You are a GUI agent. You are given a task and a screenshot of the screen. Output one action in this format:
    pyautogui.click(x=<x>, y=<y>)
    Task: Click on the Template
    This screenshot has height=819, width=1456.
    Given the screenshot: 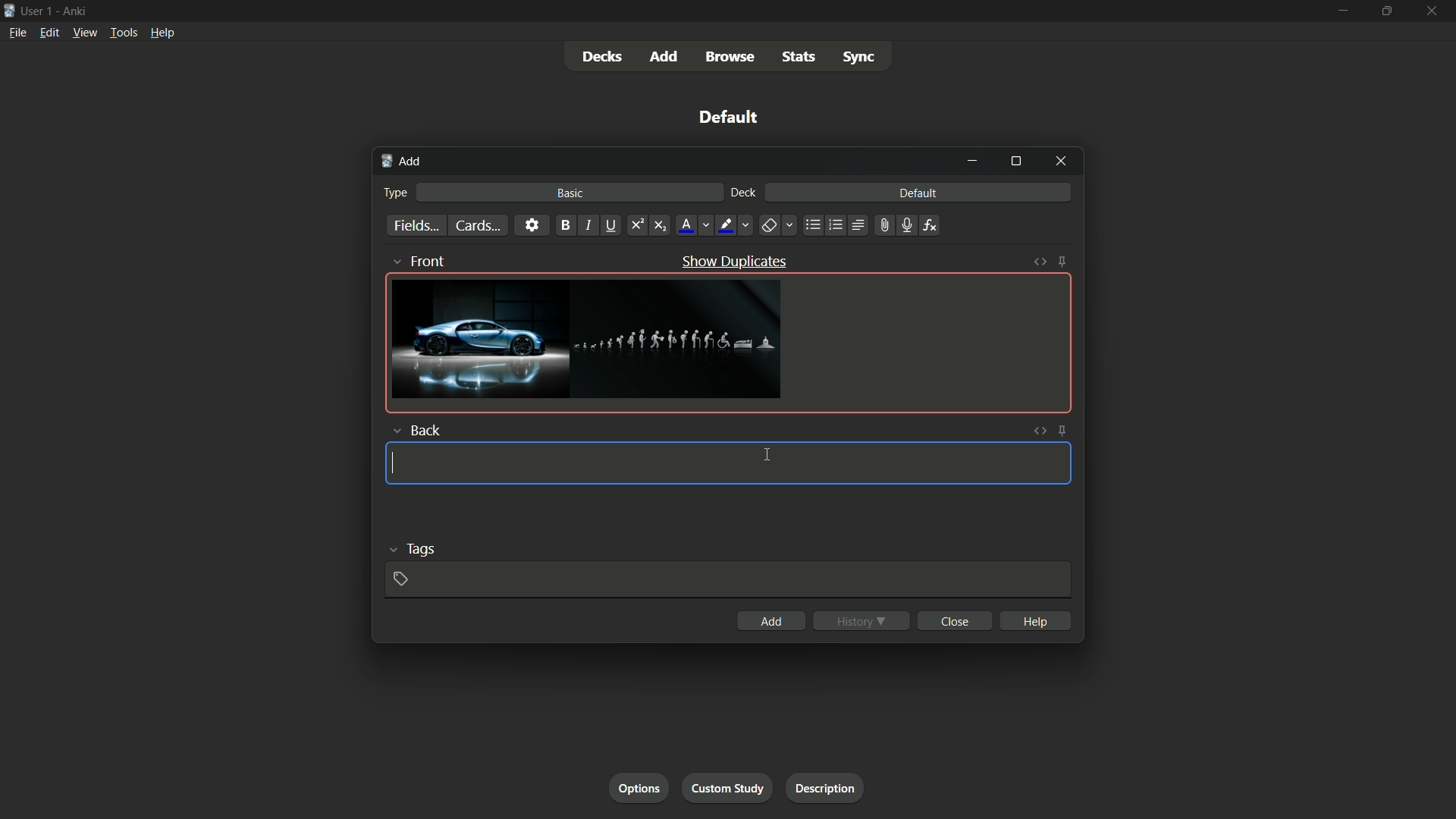 What is the action you would take?
    pyautogui.click(x=728, y=463)
    